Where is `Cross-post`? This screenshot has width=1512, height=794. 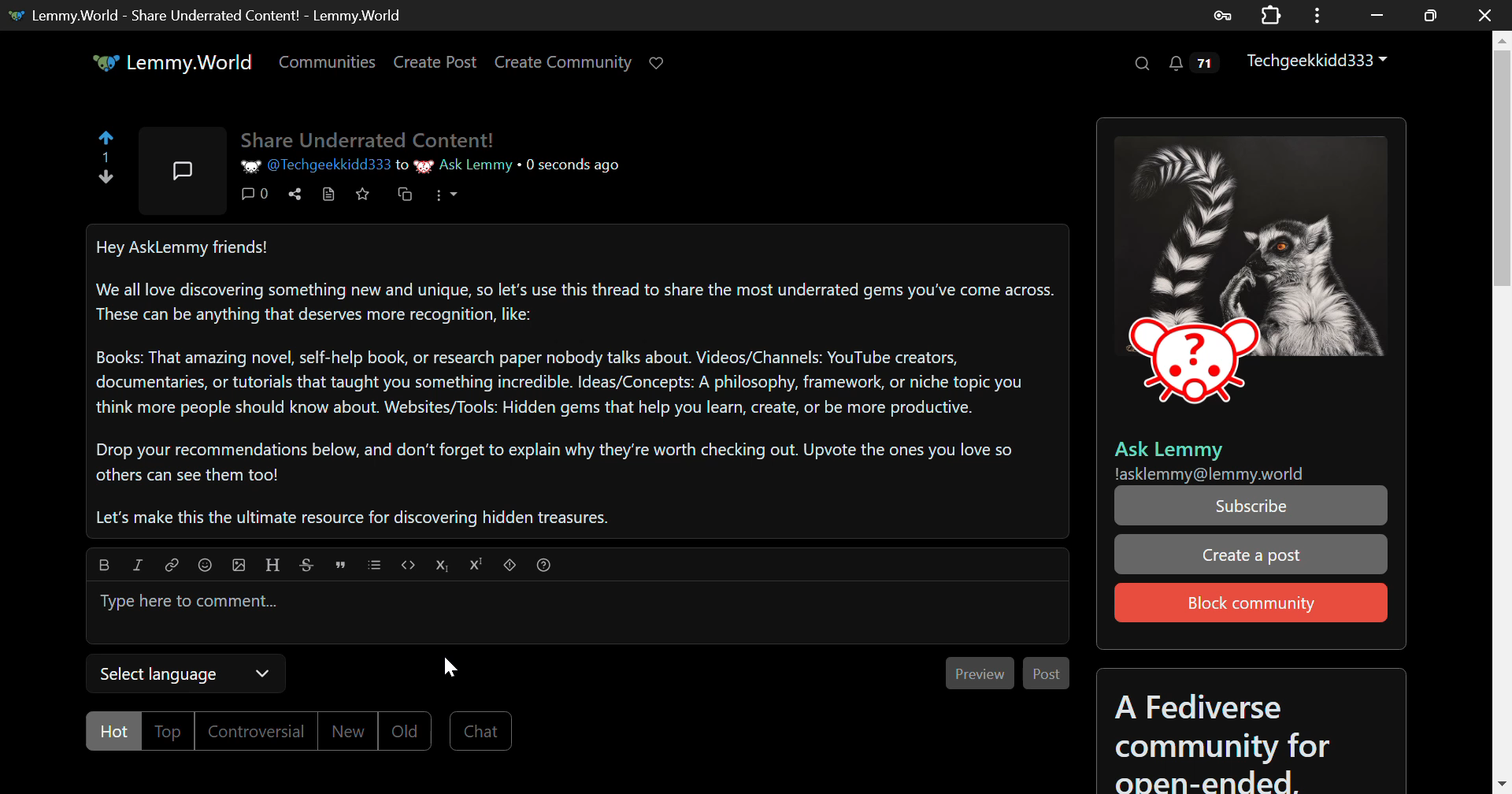 Cross-post is located at coordinates (405, 195).